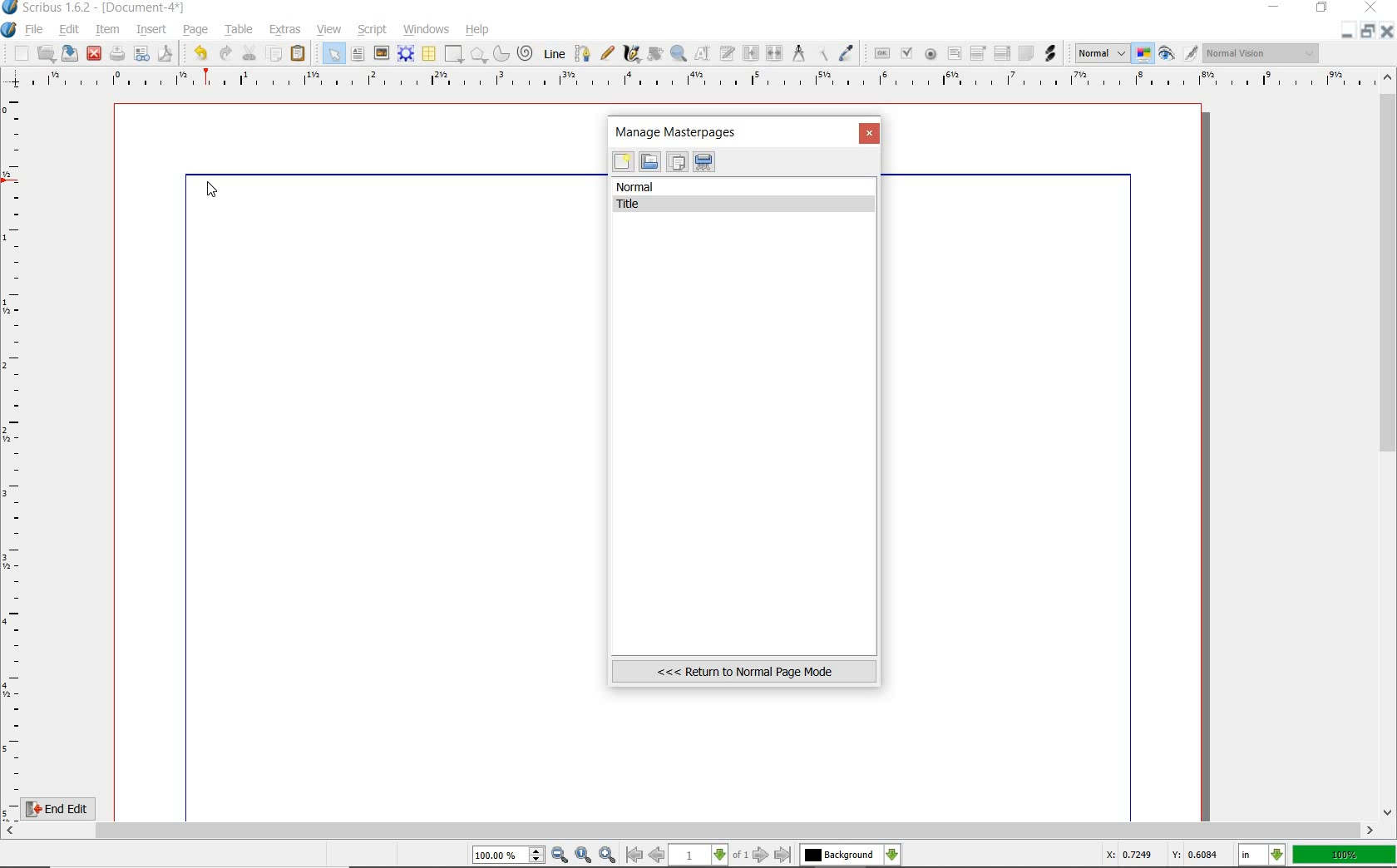  I want to click on edit, so click(67, 31).